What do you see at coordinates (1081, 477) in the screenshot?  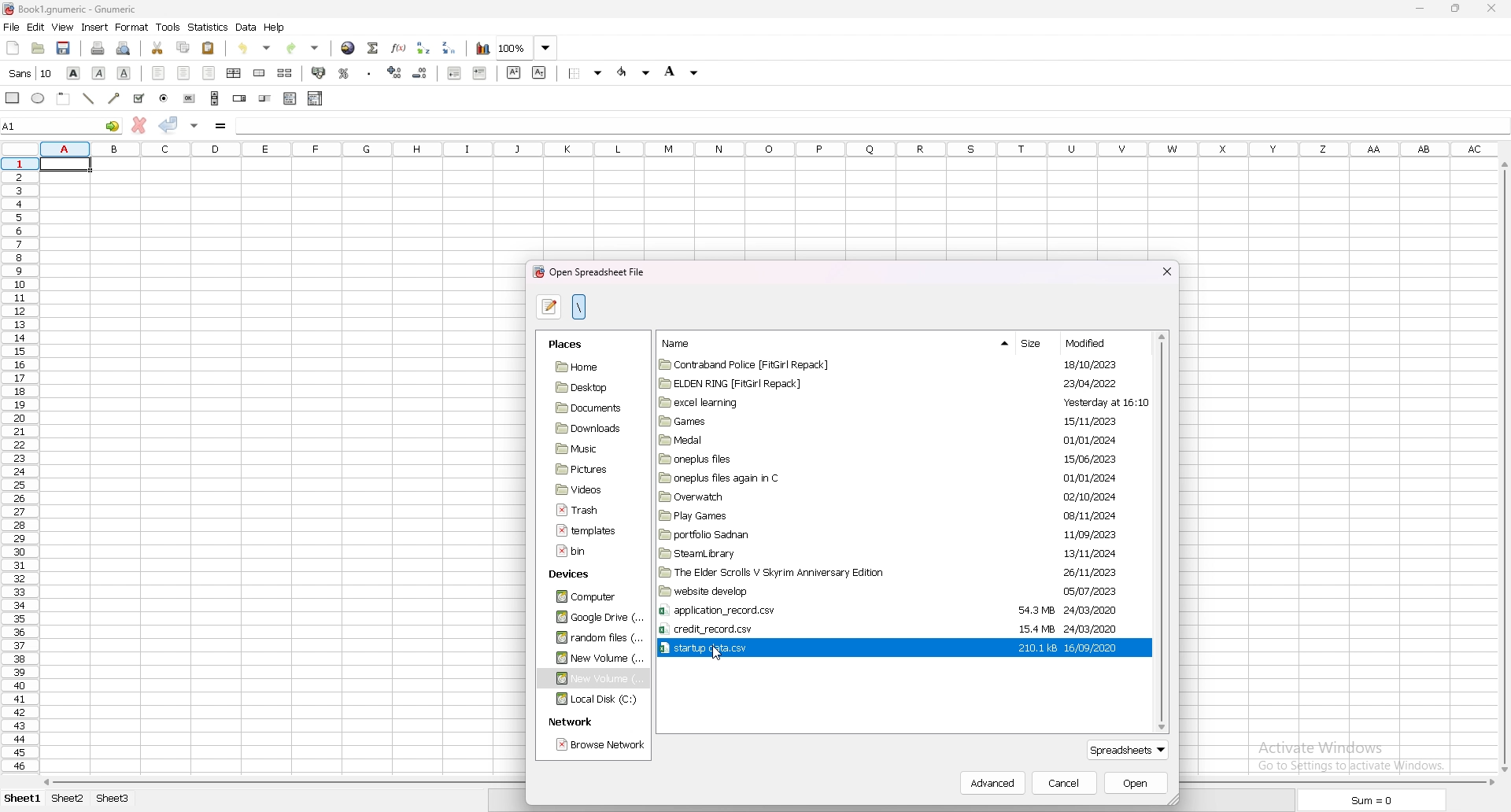 I see `01/01/2024` at bounding box center [1081, 477].